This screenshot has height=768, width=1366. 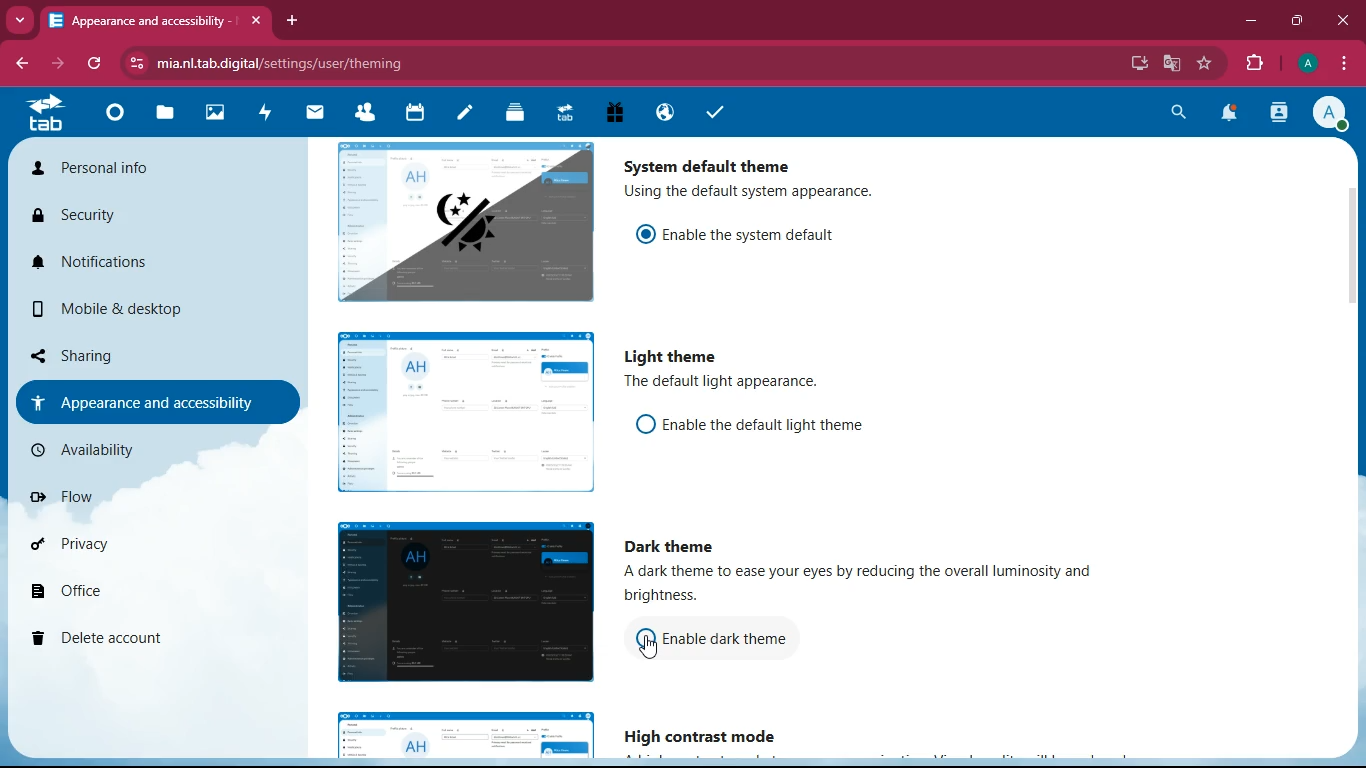 What do you see at coordinates (1174, 112) in the screenshot?
I see `search` at bounding box center [1174, 112].